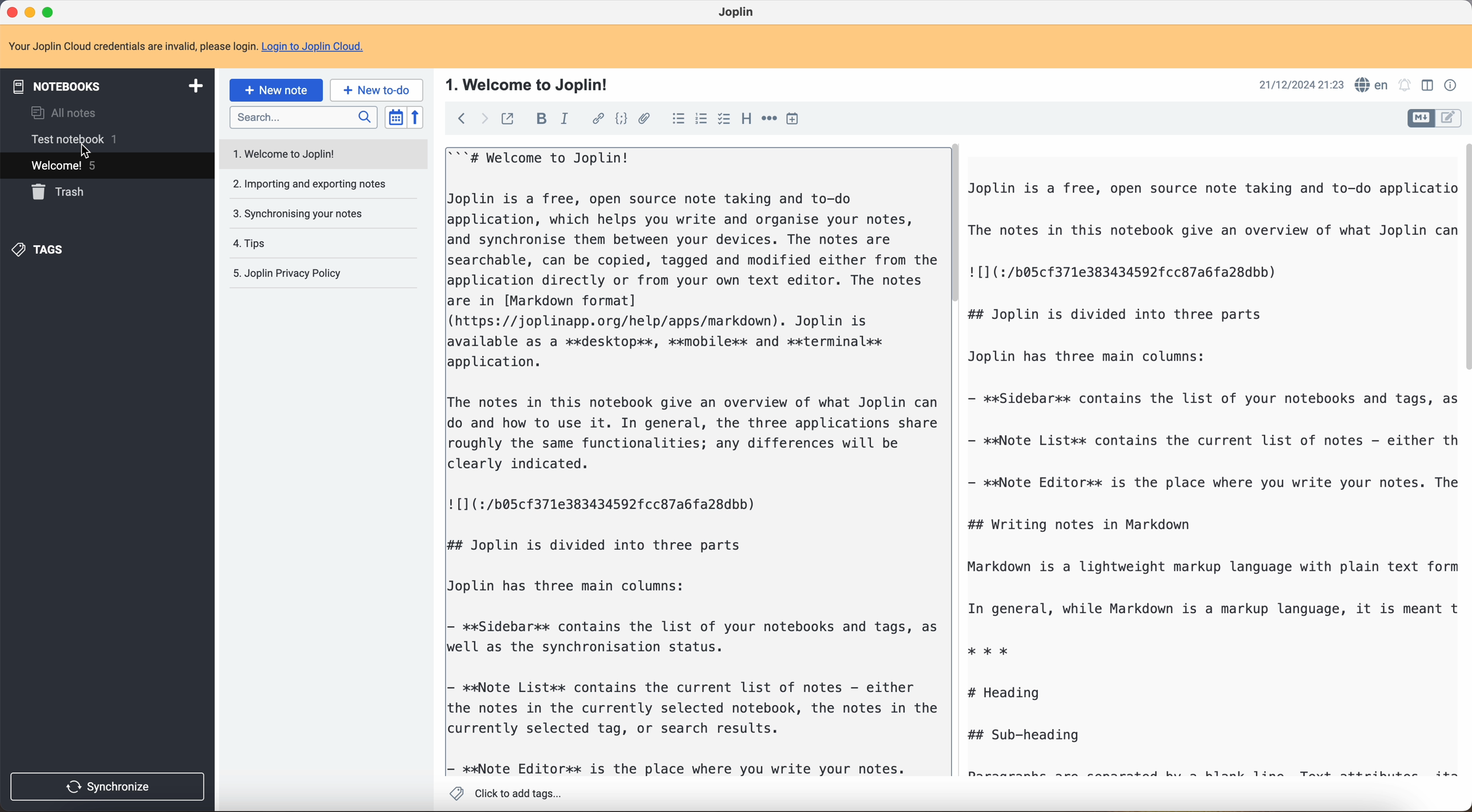  What do you see at coordinates (301, 155) in the screenshot?
I see `welcome to Joplin note` at bounding box center [301, 155].